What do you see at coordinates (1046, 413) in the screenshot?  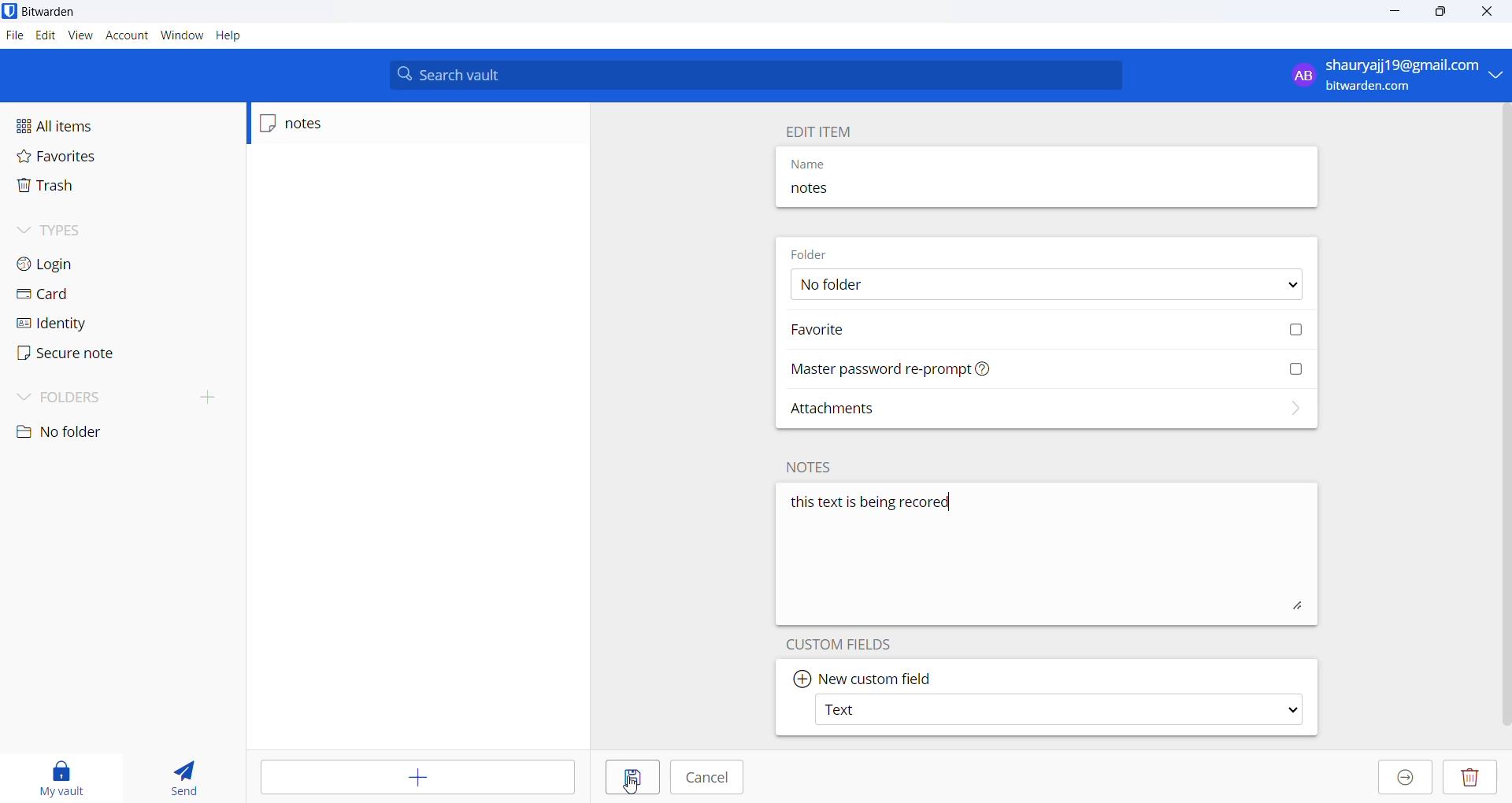 I see `attachments options ` at bounding box center [1046, 413].